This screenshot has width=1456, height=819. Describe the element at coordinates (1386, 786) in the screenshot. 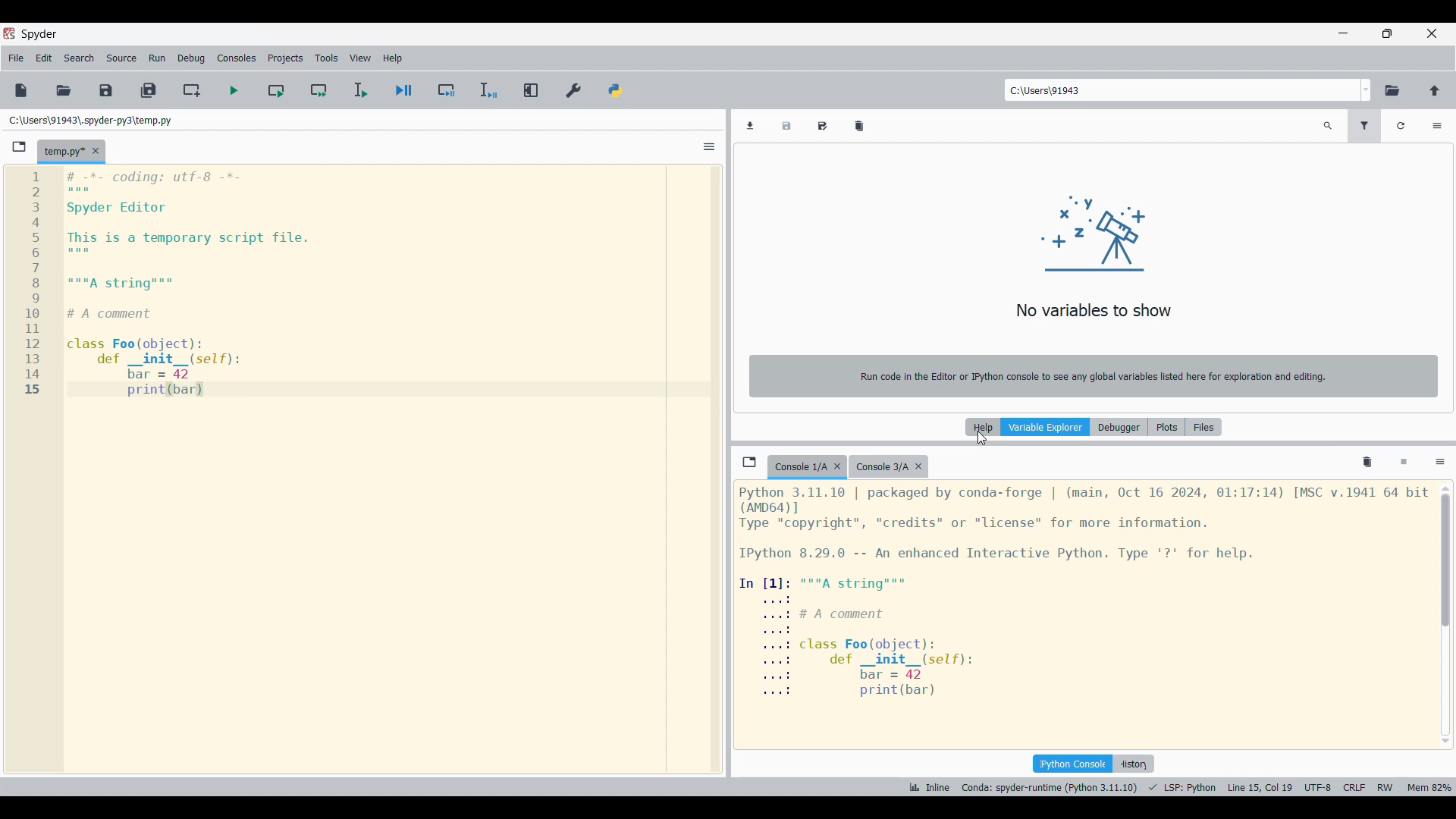

I see `RW` at that location.